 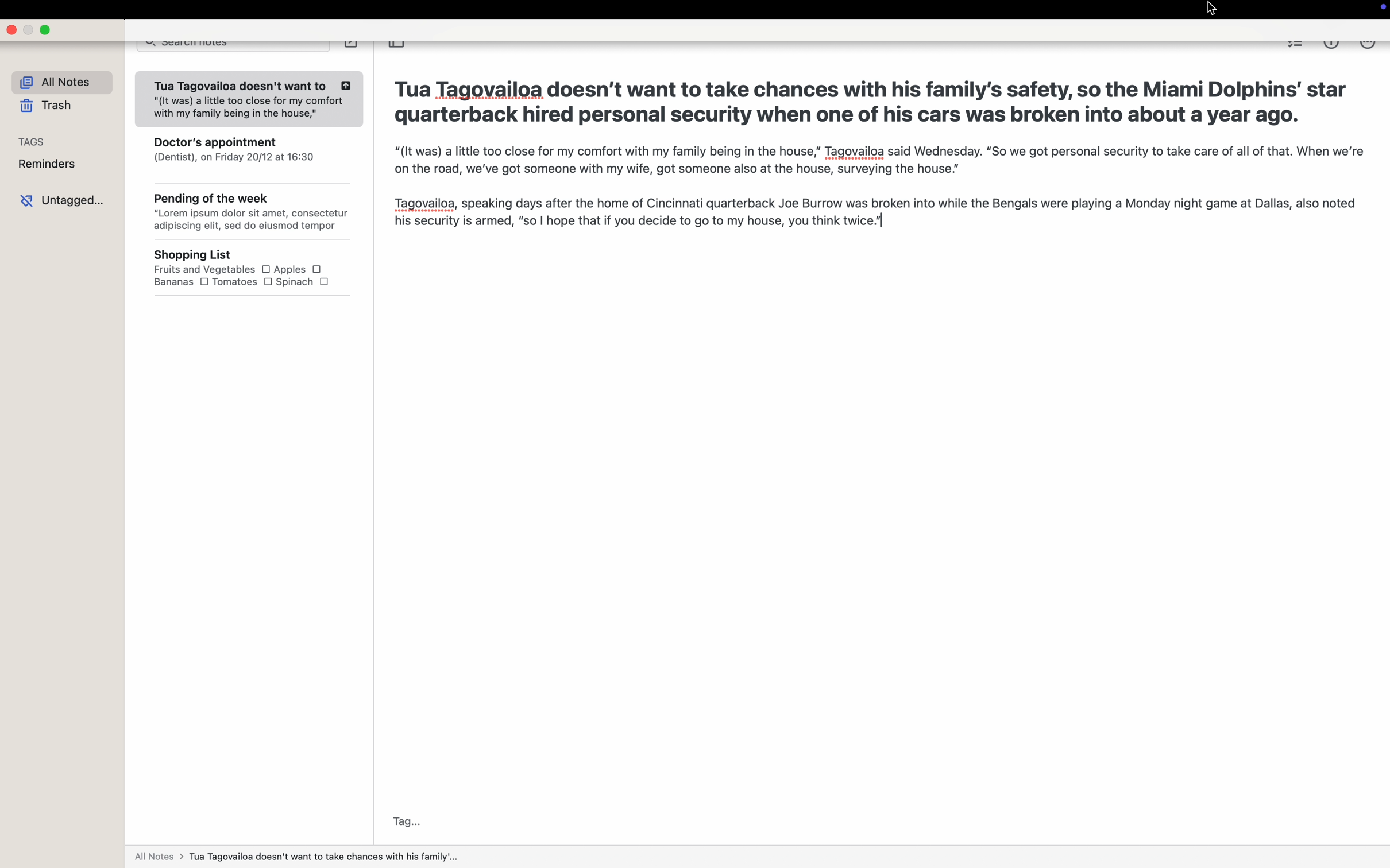 I want to click on minimize, so click(x=28, y=33).